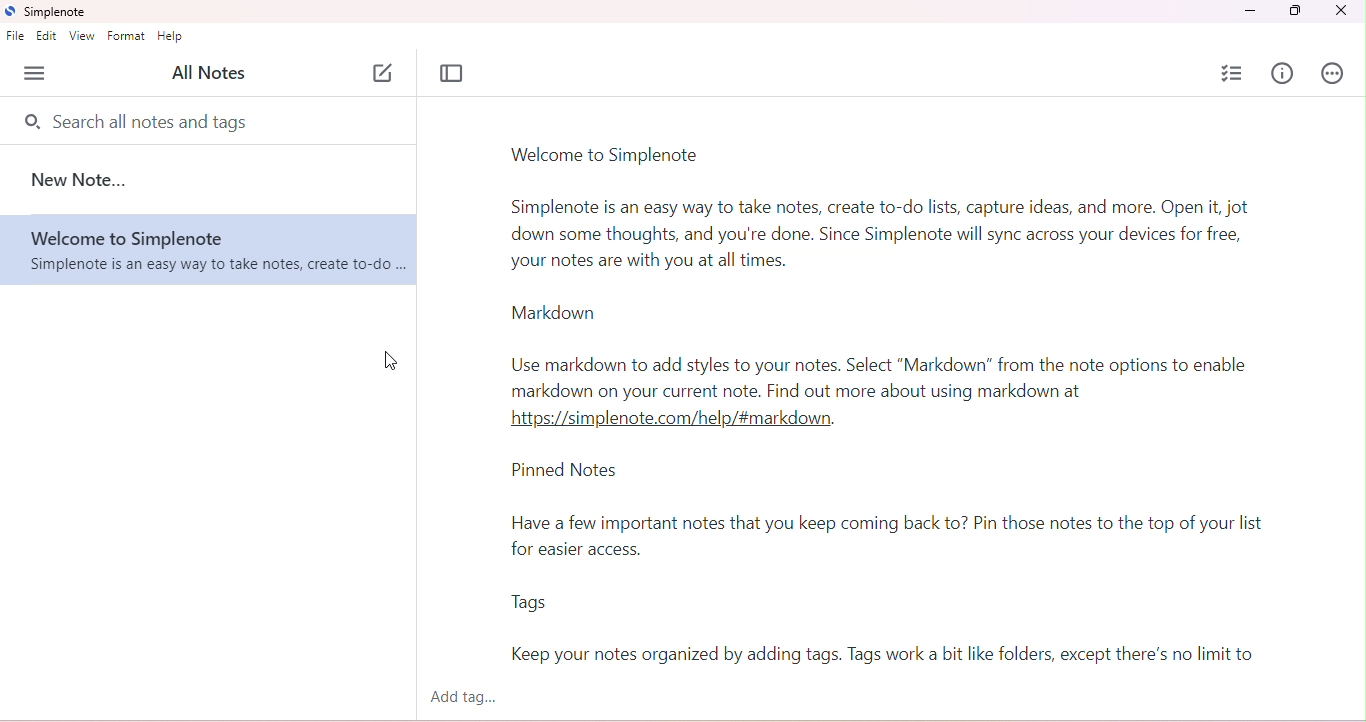 The image size is (1366, 722). What do you see at coordinates (83, 36) in the screenshot?
I see `view` at bounding box center [83, 36].